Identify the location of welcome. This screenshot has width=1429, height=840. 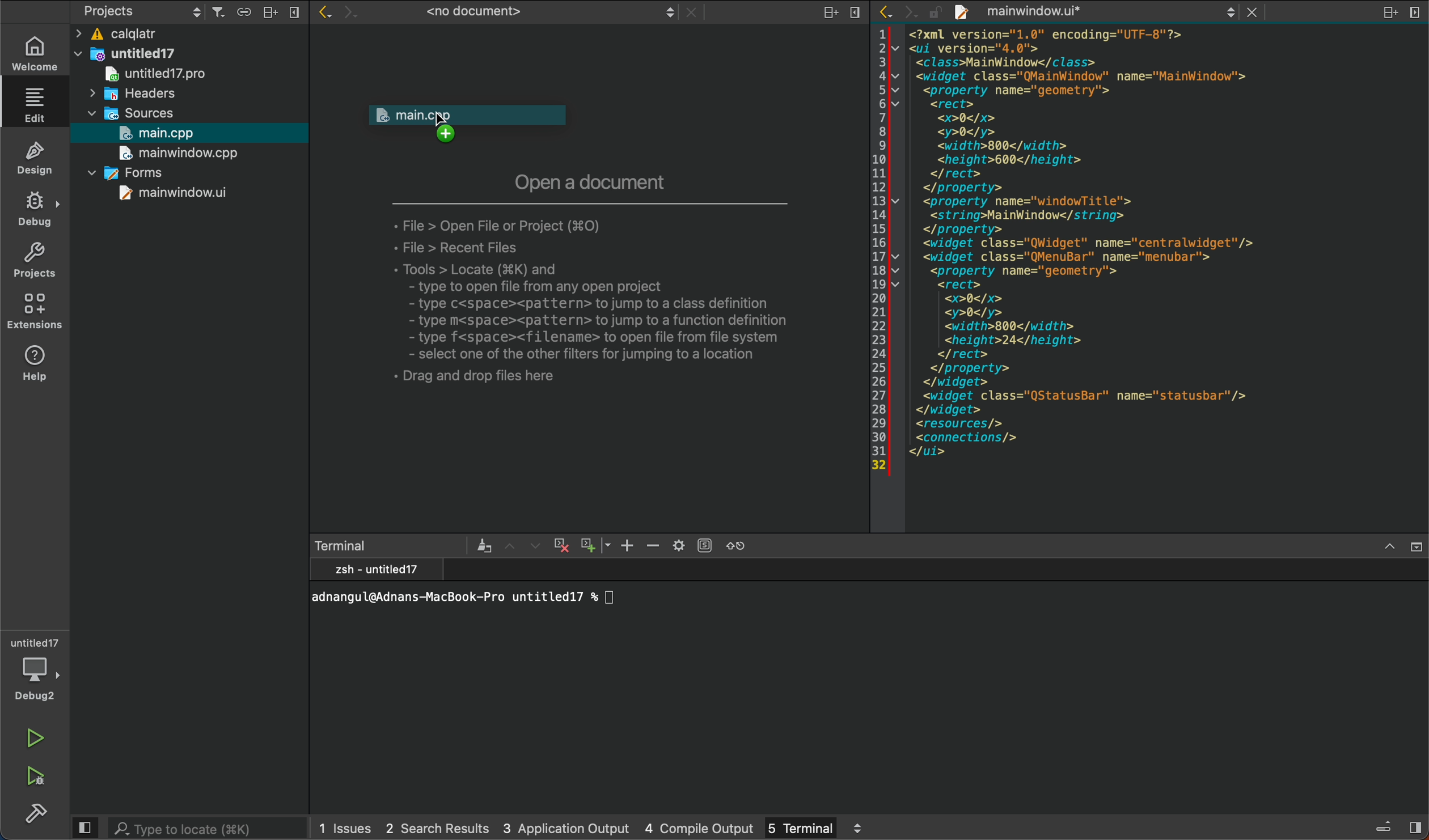
(33, 54).